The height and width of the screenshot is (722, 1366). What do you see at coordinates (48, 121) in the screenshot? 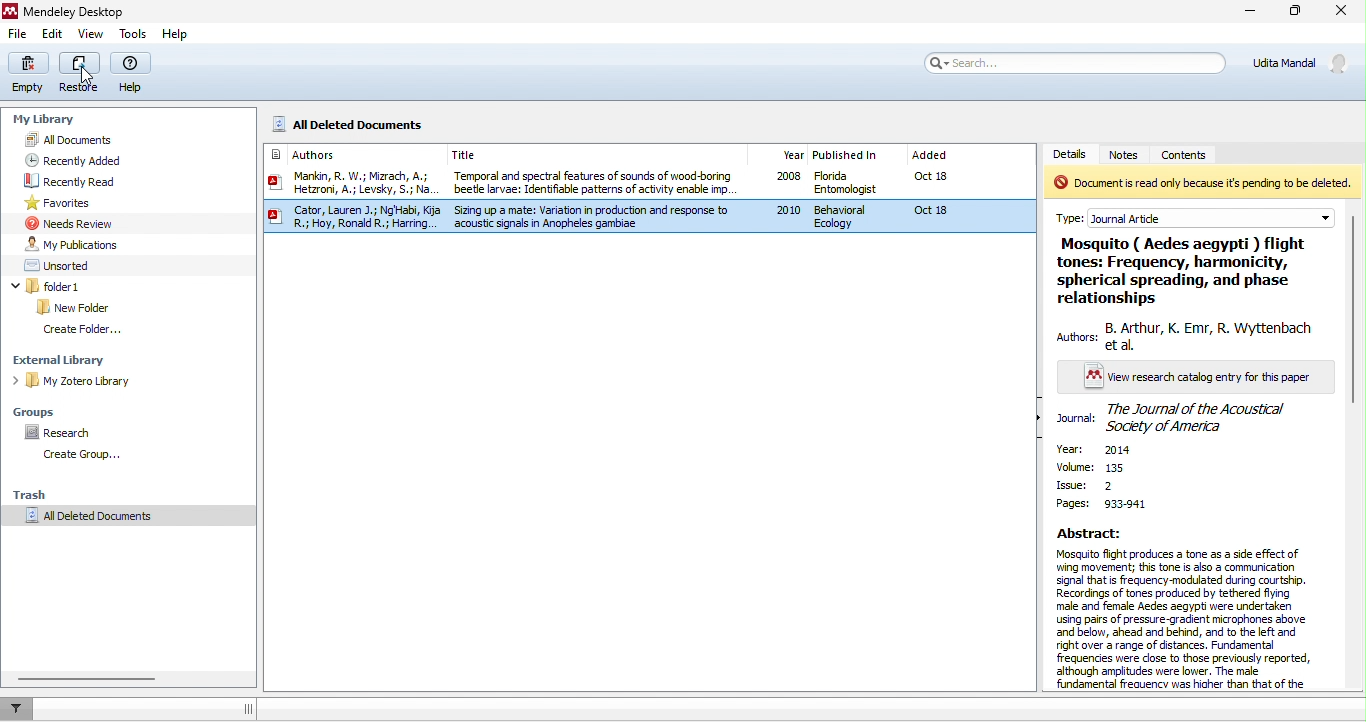
I see `my library` at bounding box center [48, 121].